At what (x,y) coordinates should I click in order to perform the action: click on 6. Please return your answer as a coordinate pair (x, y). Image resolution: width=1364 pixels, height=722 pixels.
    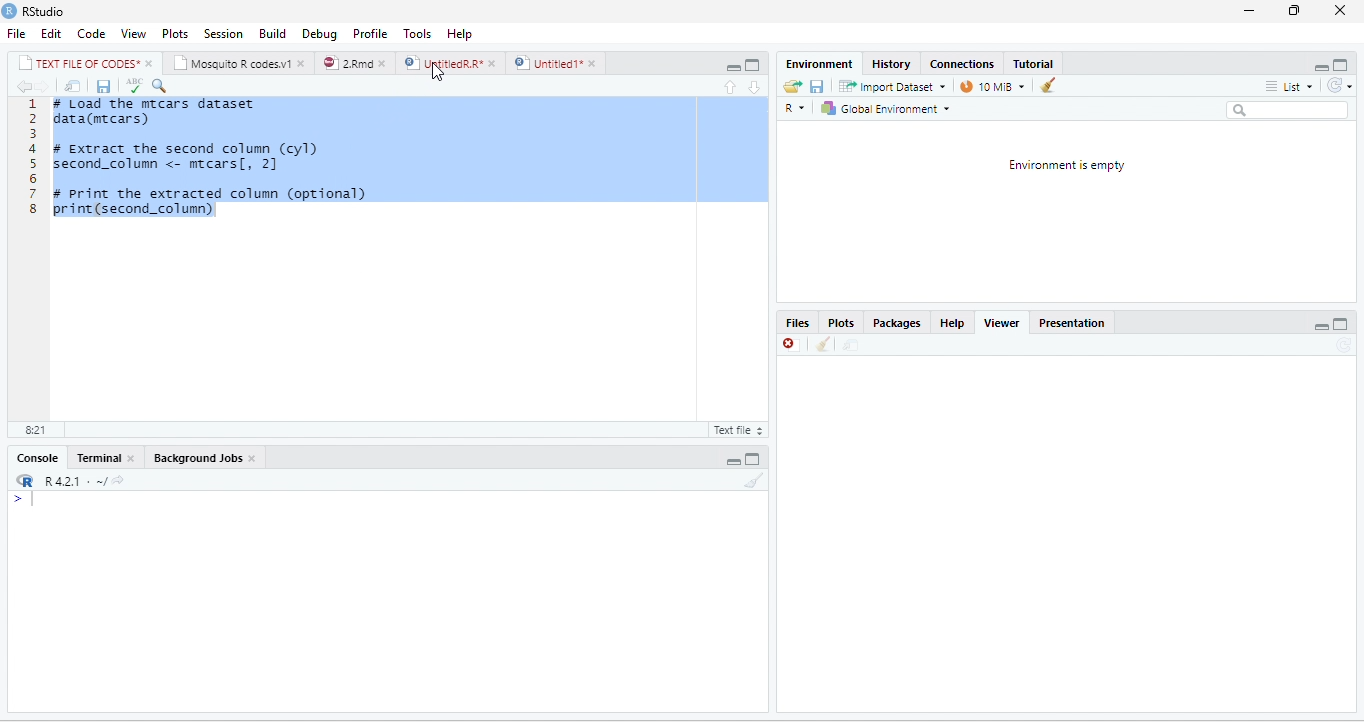
    Looking at the image, I should click on (33, 178).